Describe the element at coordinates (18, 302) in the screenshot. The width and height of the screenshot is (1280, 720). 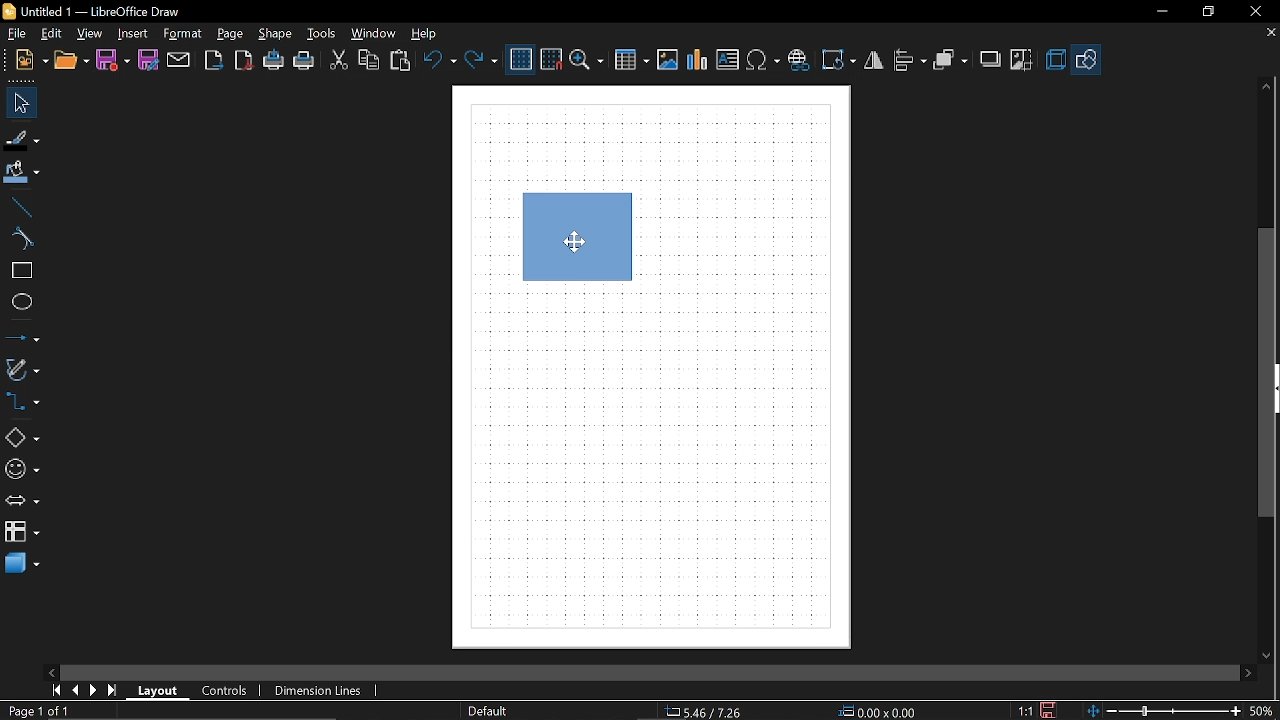
I see `Ellipse` at that location.